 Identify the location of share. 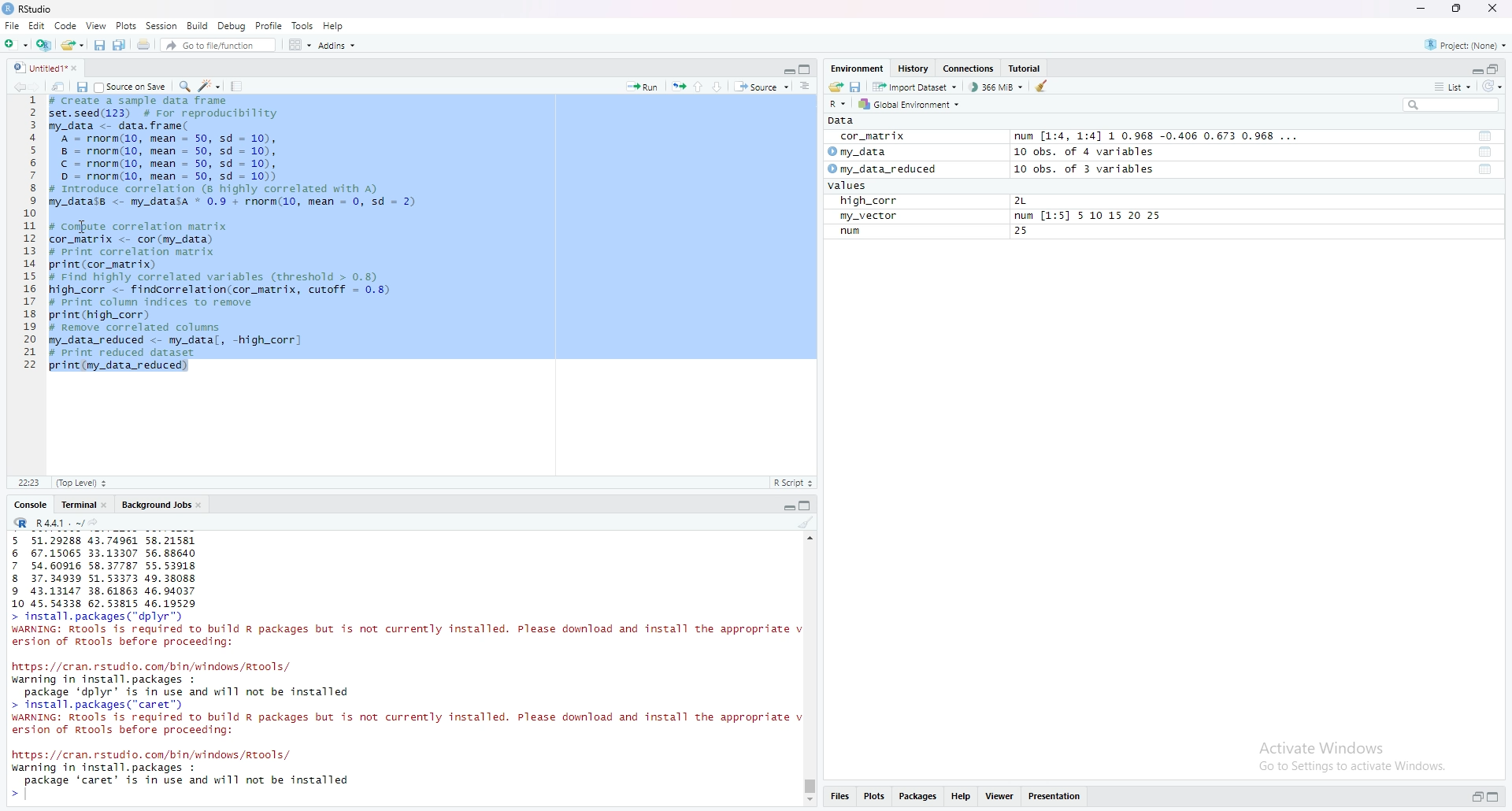
(60, 87).